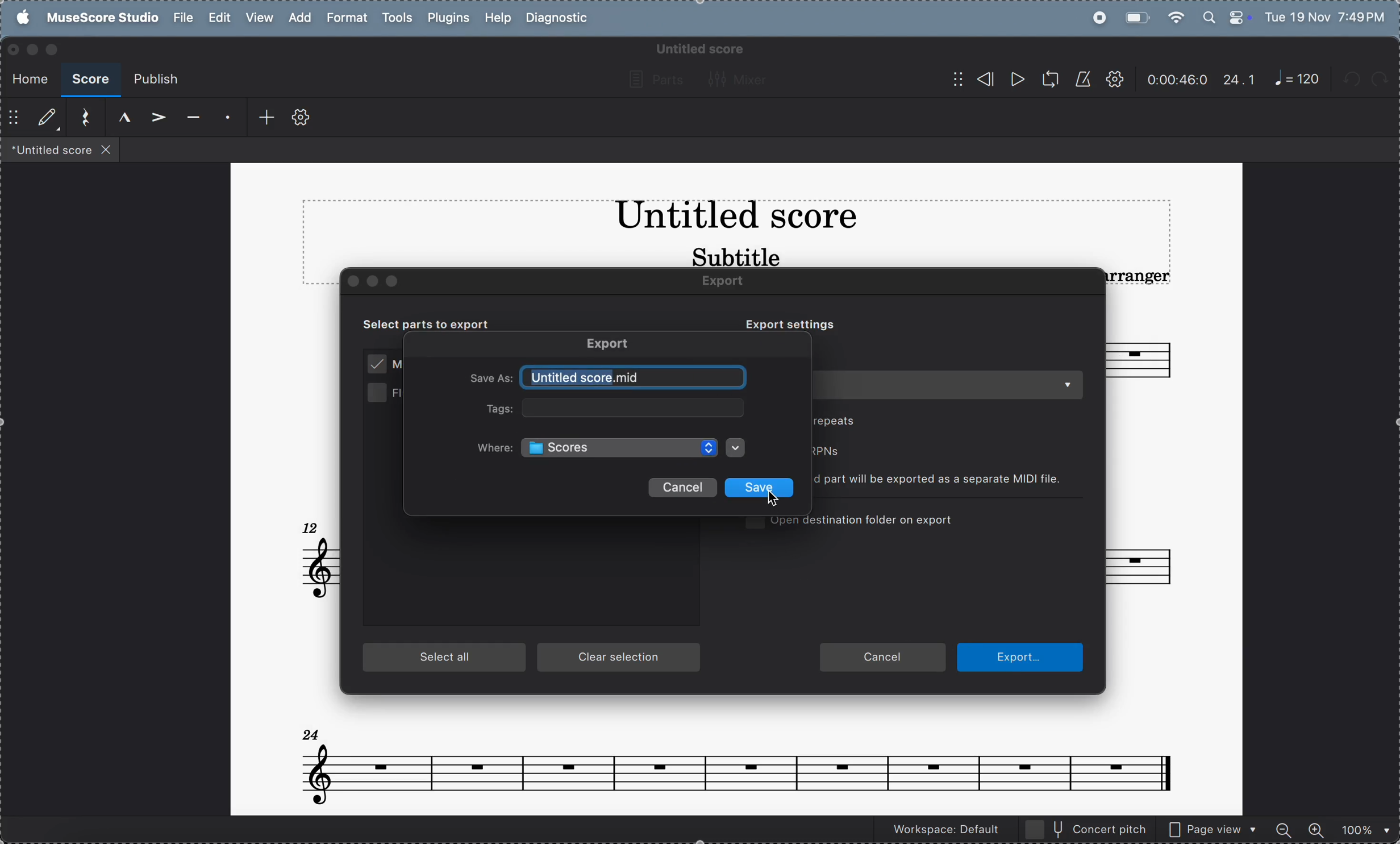  What do you see at coordinates (1177, 17) in the screenshot?
I see `wifi` at bounding box center [1177, 17].